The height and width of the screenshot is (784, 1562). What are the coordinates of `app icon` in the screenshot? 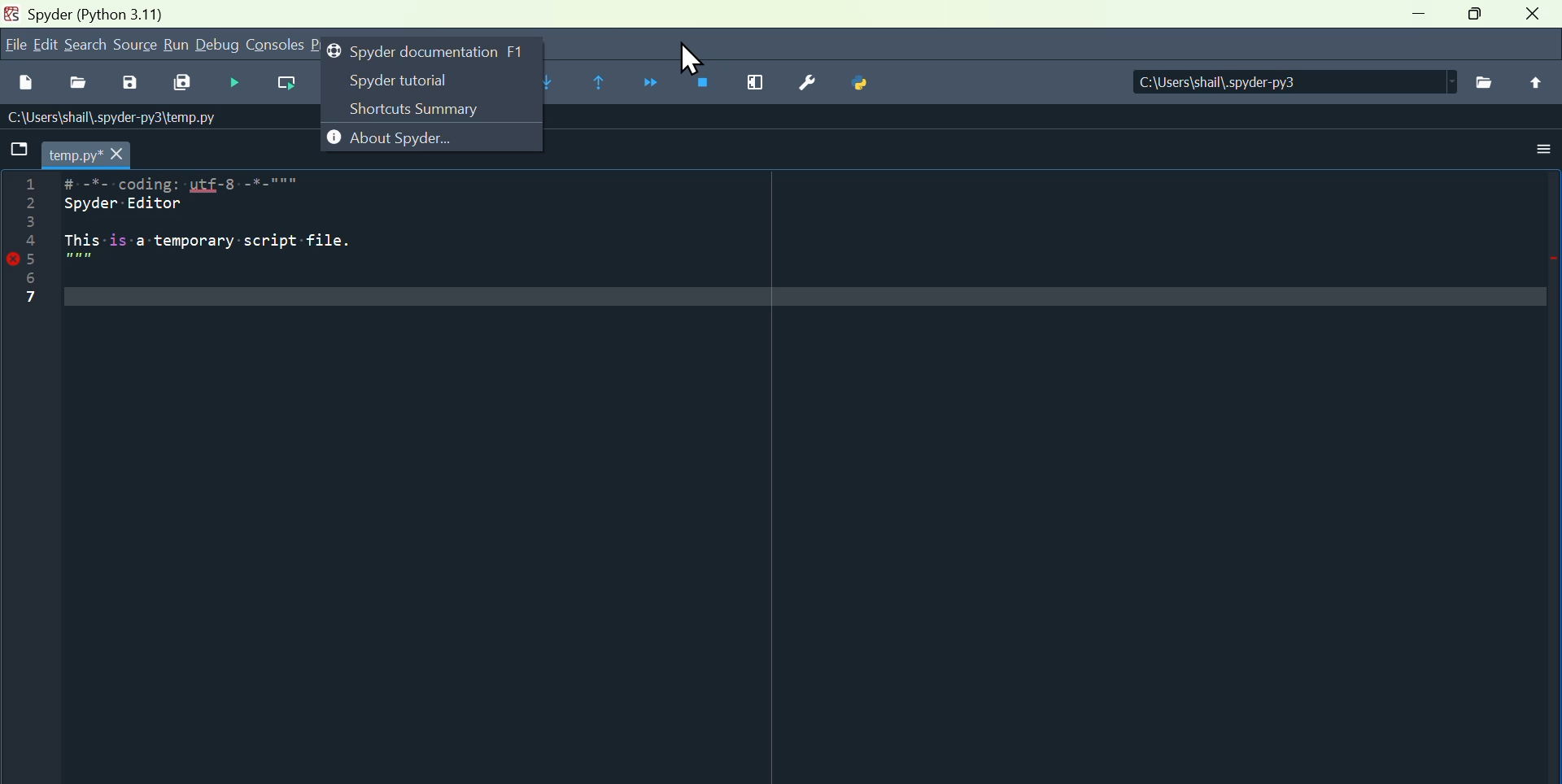 It's located at (11, 12).